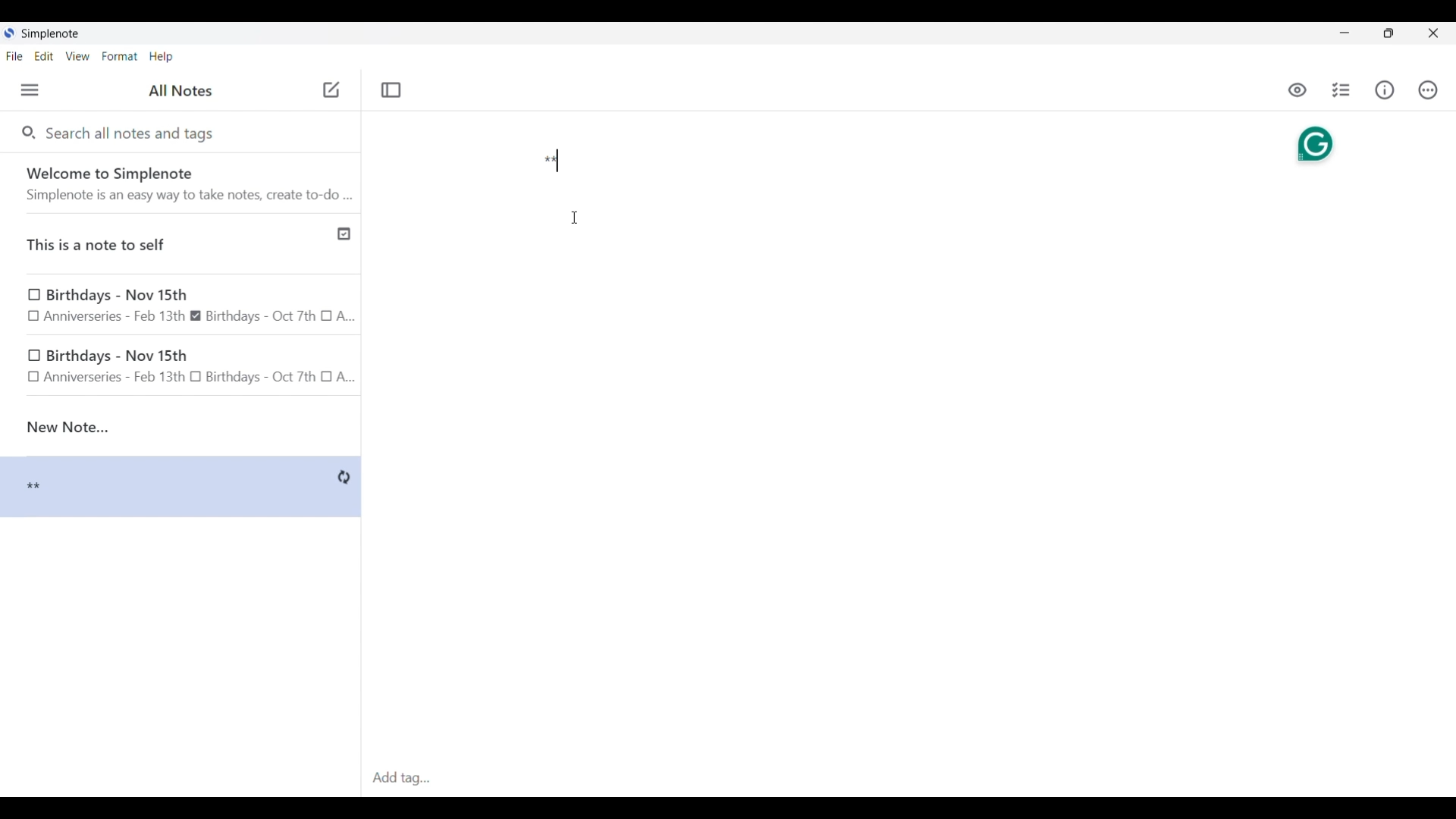 The image size is (1456, 819). What do you see at coordinates (1433, 33) in the screenshot?
I see `Close interface` at bounding box center [1433, 33].